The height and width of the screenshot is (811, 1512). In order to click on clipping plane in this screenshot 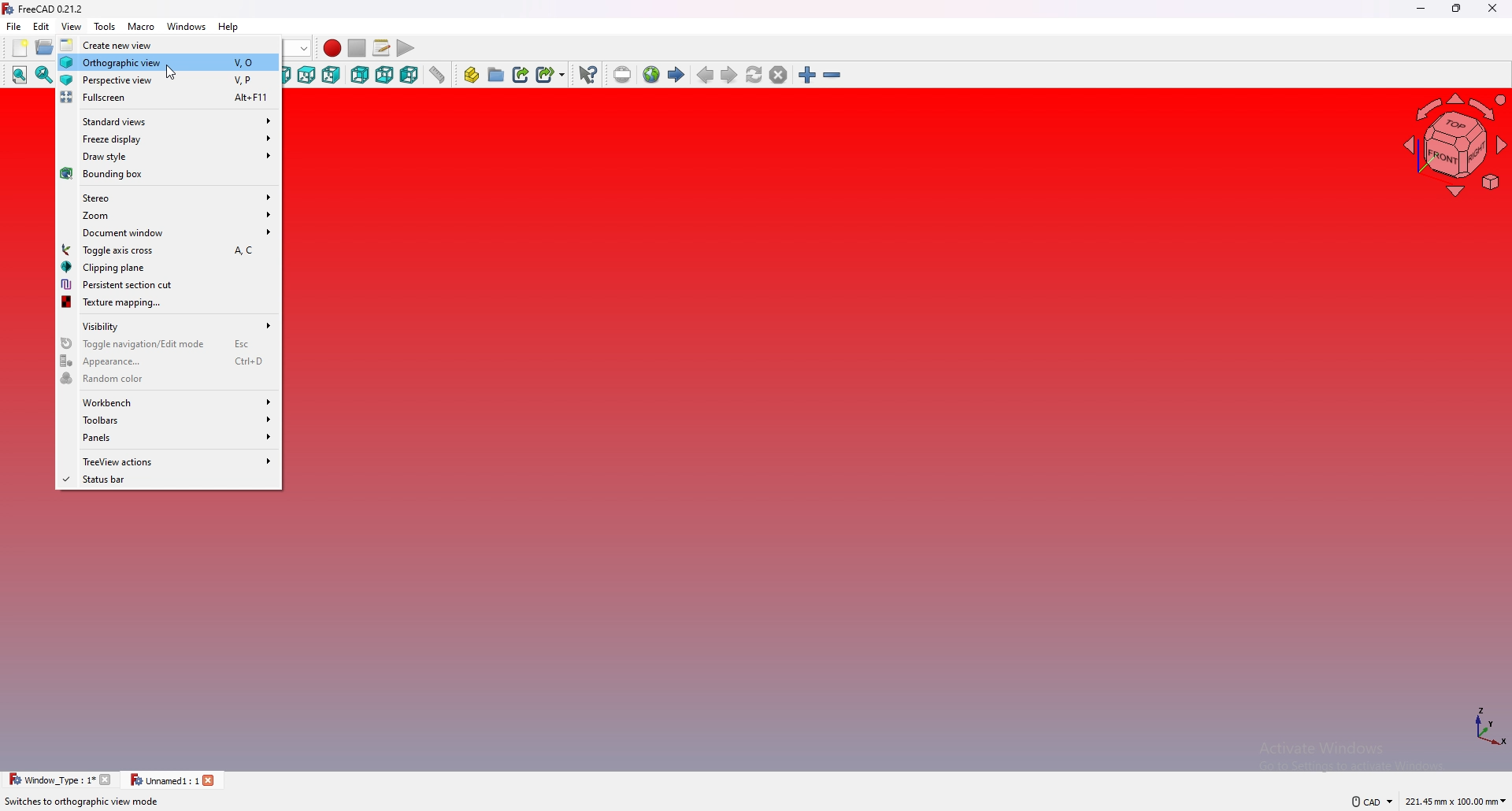, I will do `click(169, 268)`.